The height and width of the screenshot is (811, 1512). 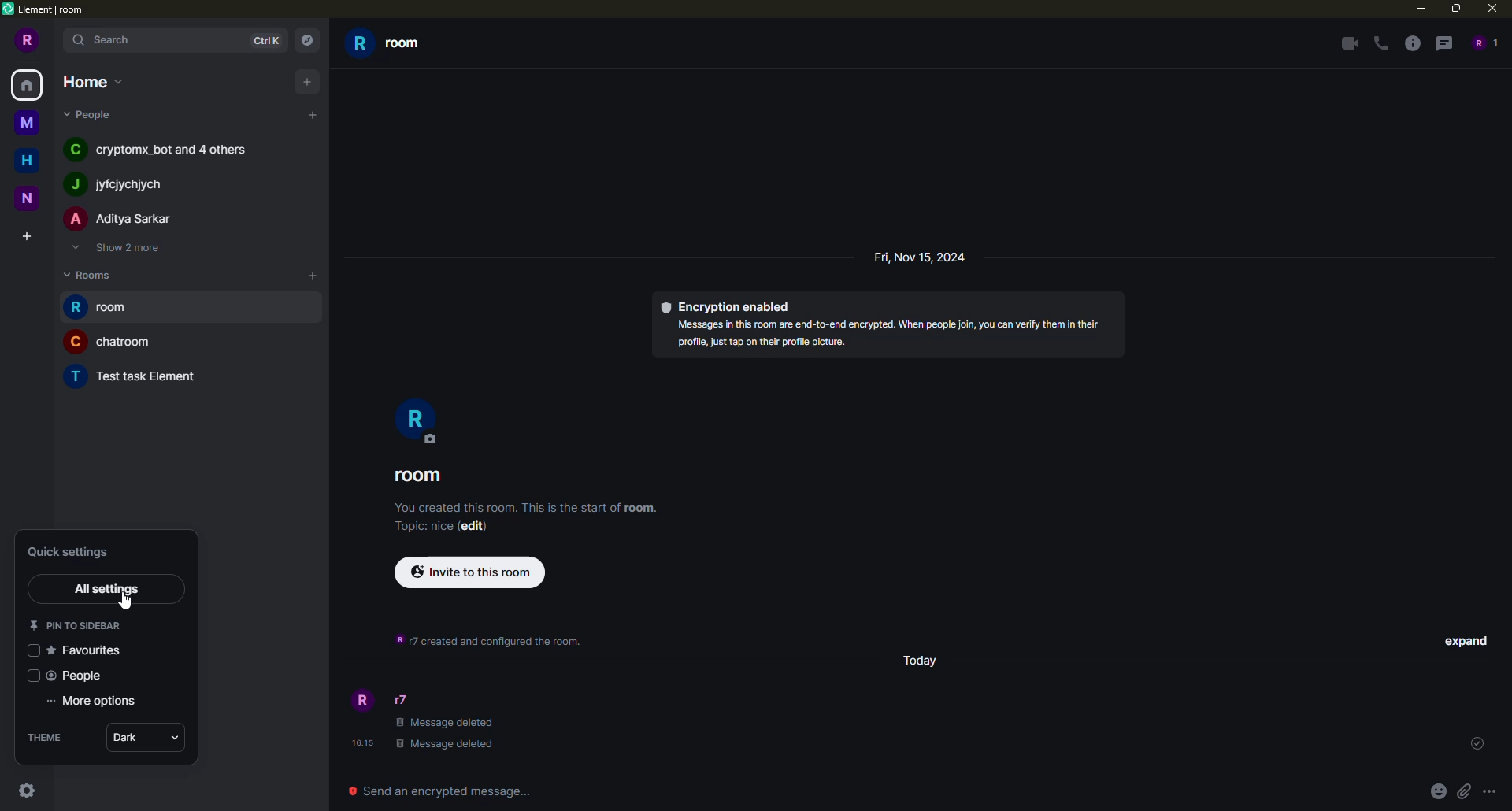 I want to click on show 2 more, so click(x=115, y=247).